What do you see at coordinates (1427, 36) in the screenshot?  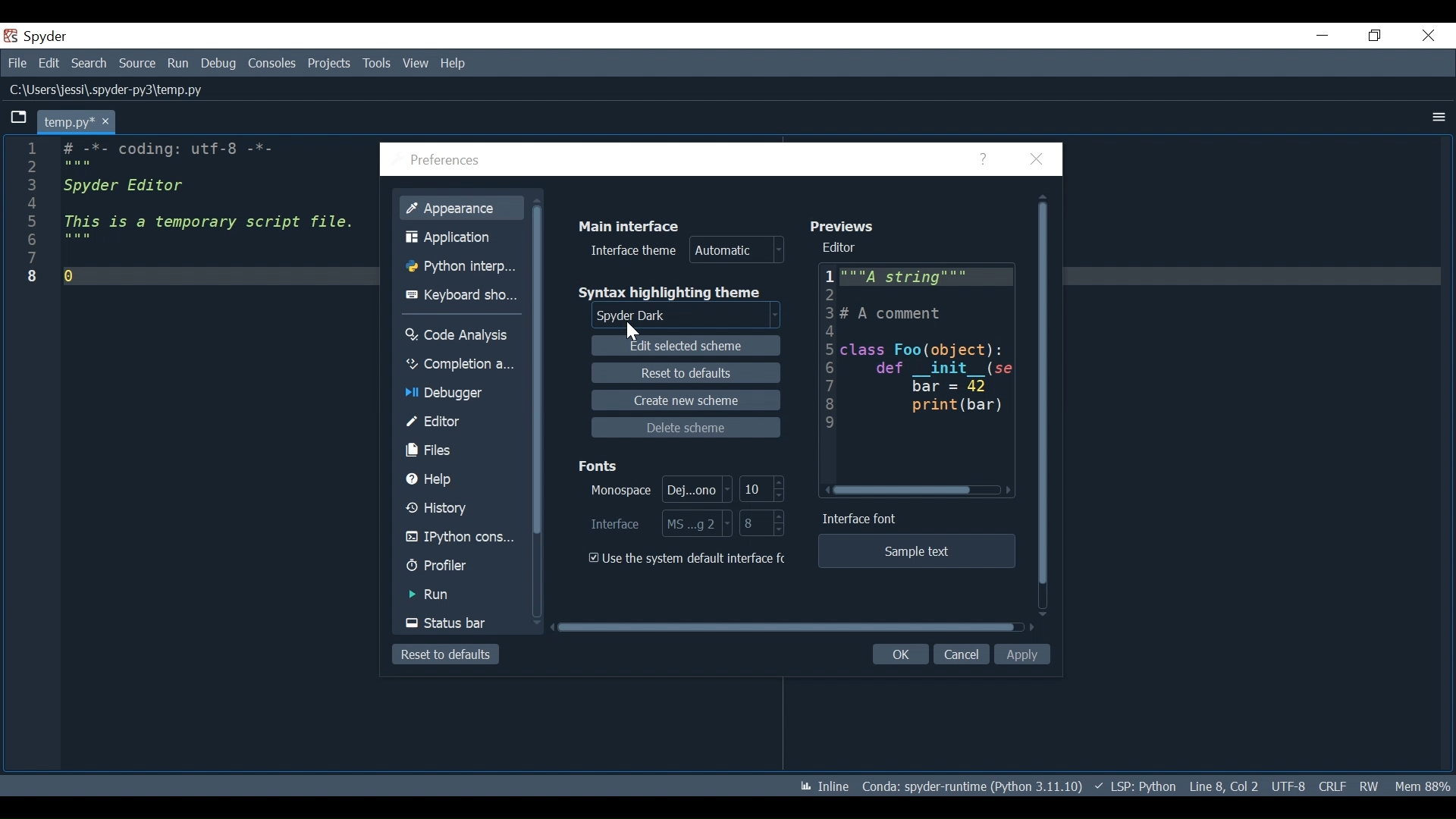 I see `Close` at bounding box center [1427, 36].